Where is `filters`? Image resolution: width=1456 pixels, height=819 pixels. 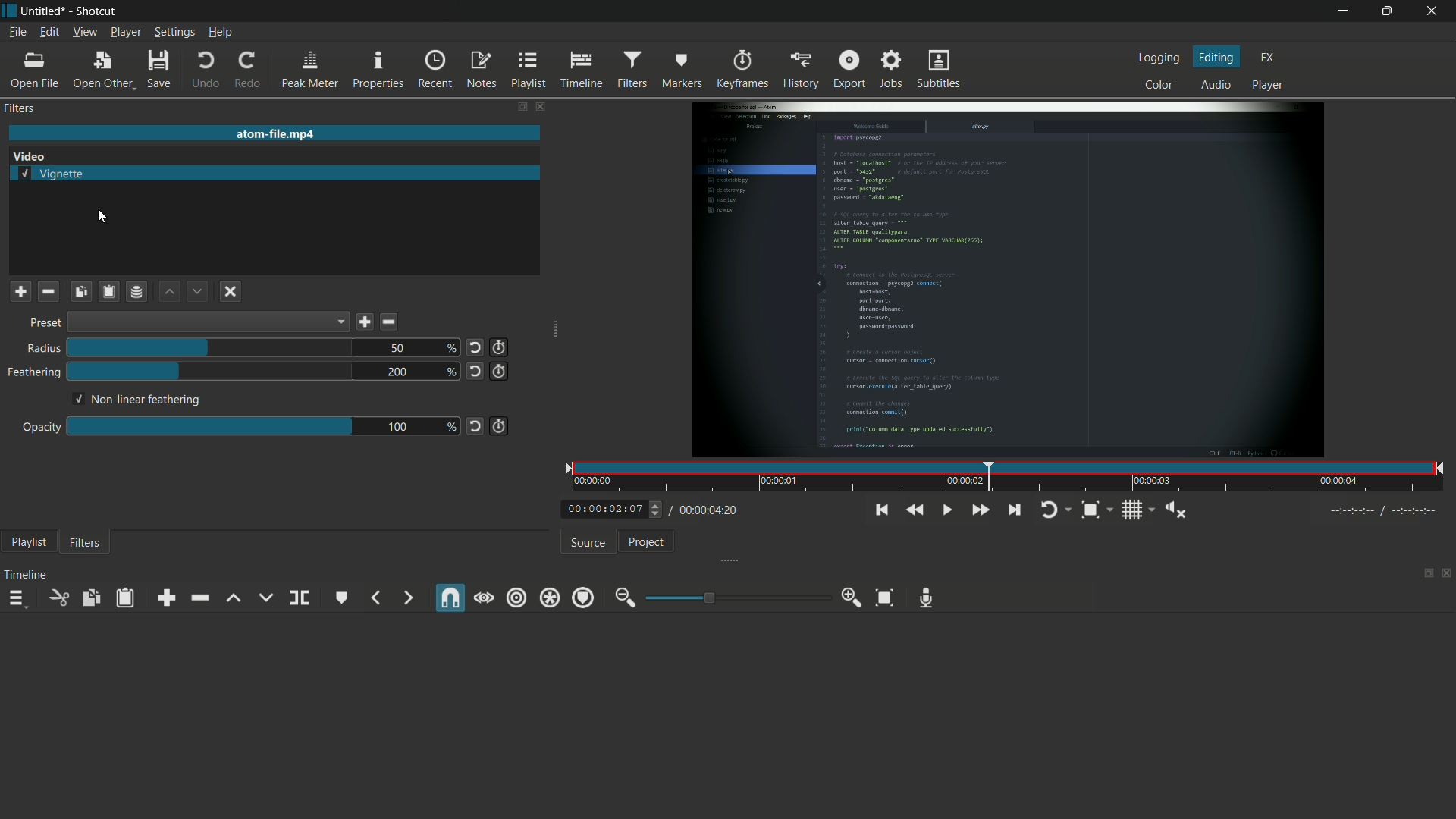
filters is located at coordinates (86, 541).